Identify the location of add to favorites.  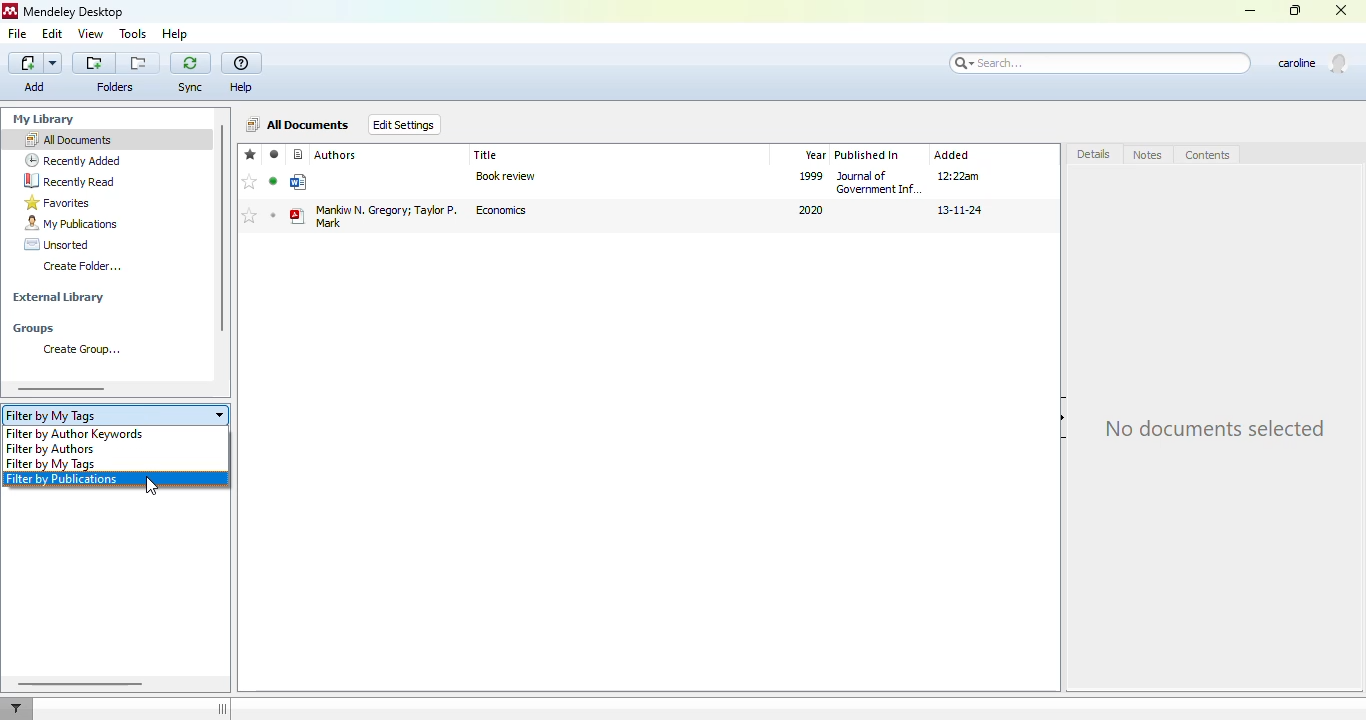
(250, 182).